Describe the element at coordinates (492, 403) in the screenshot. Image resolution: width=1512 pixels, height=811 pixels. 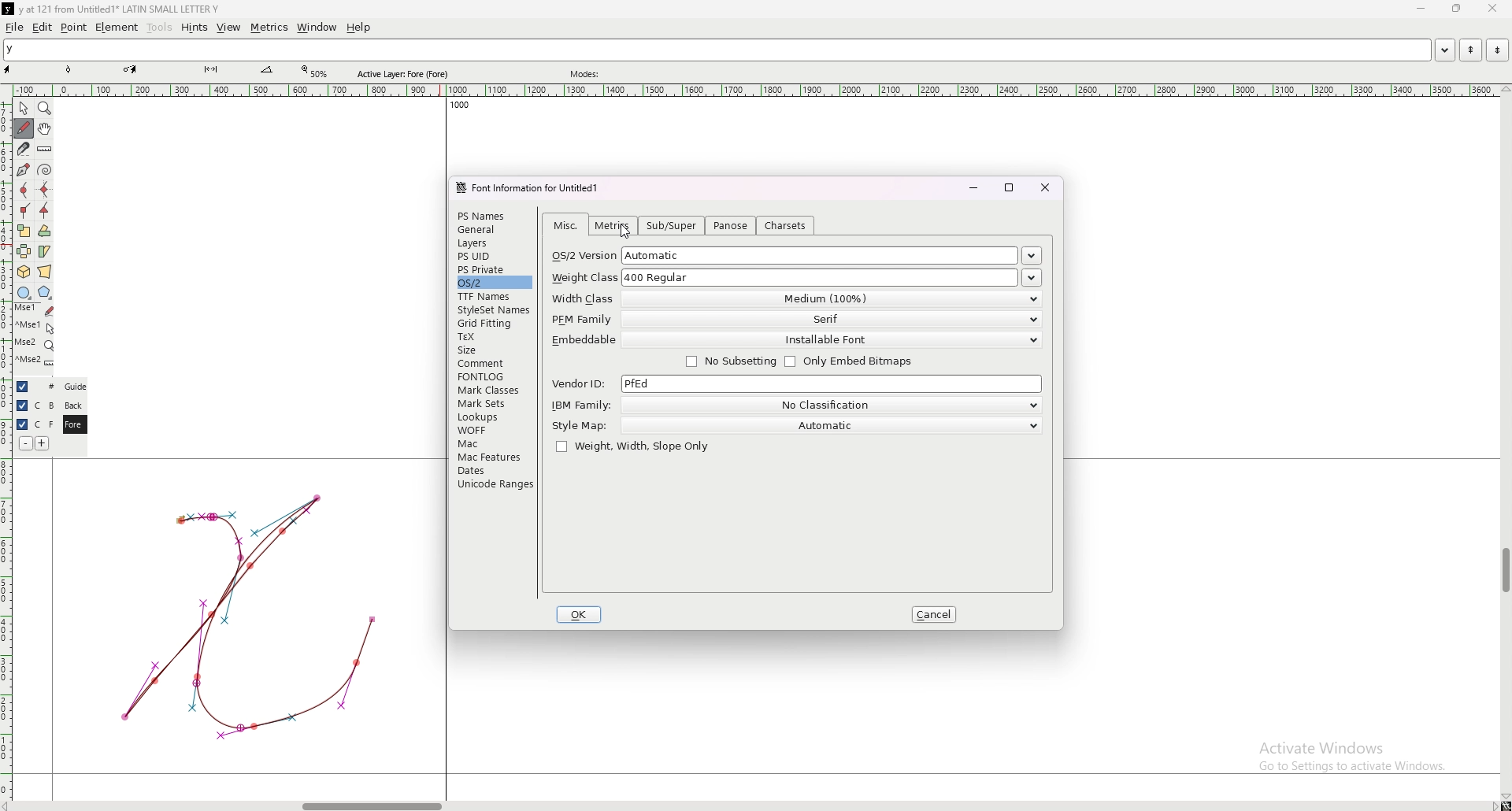
I see `mark sets` at that location.